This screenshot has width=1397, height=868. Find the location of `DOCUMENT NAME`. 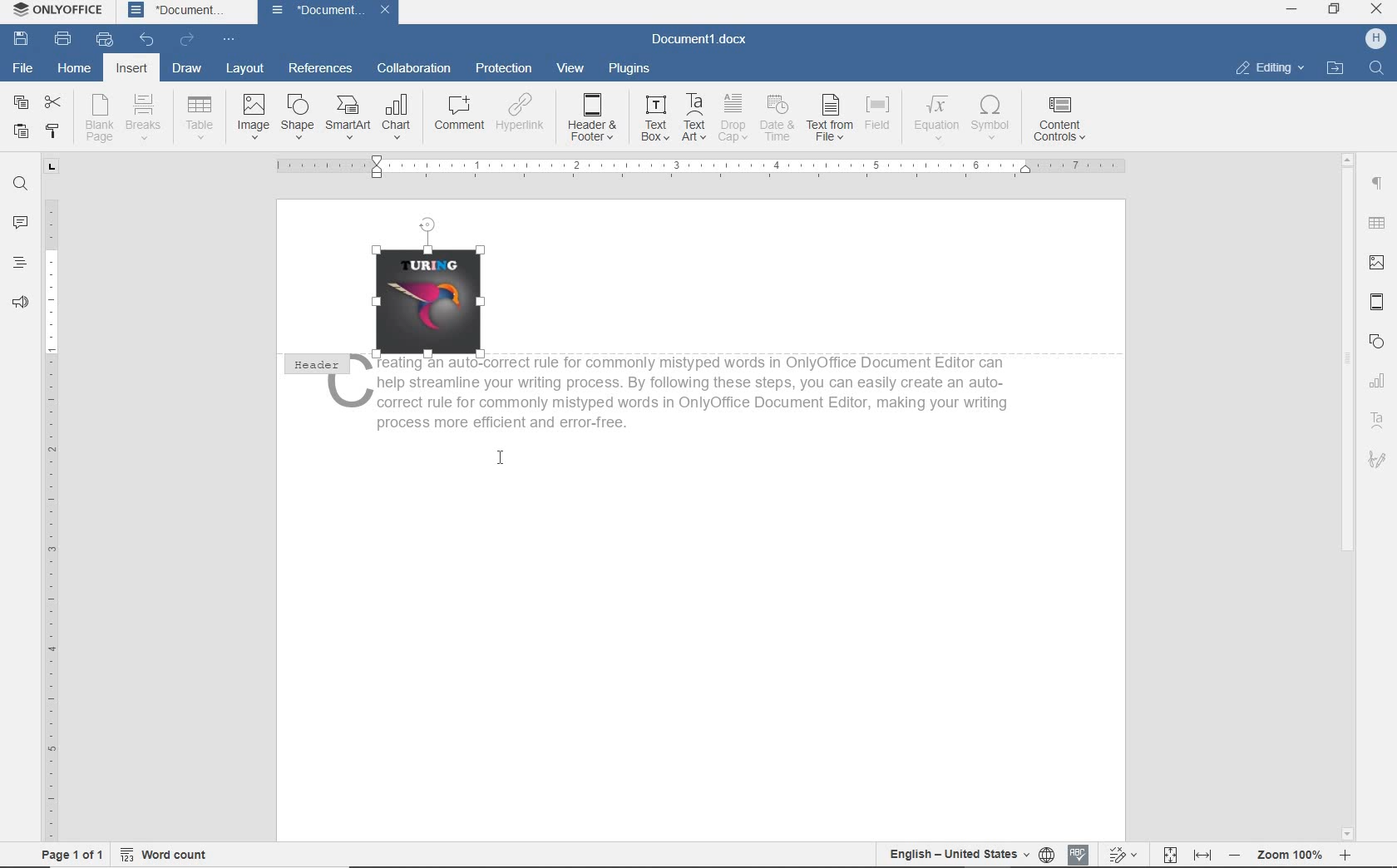

DOCUMENT NAME is located at coordinates (329, 12).